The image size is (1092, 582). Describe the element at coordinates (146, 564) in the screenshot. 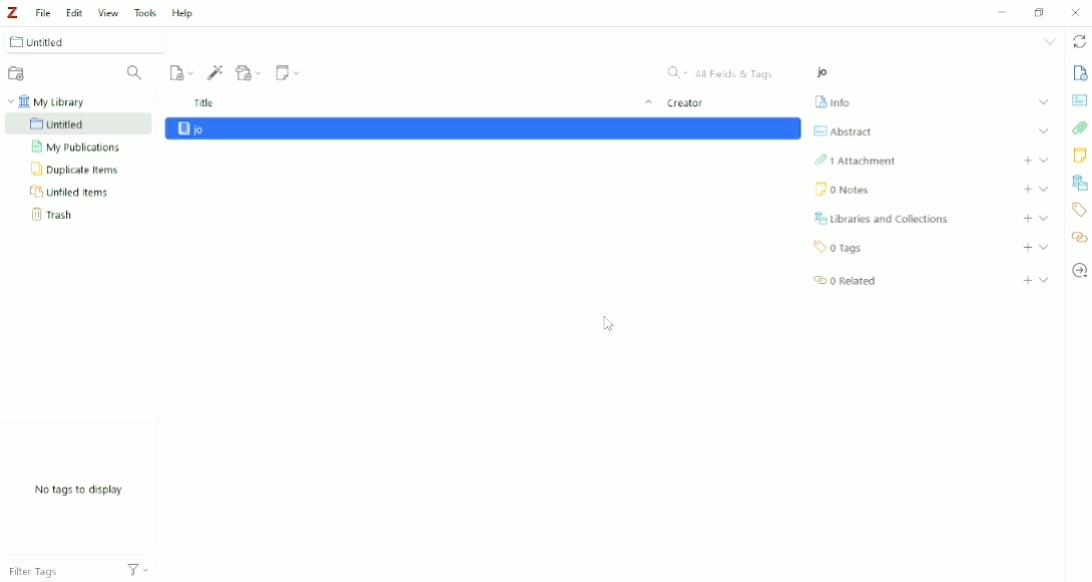

I see `Filters` at that location.